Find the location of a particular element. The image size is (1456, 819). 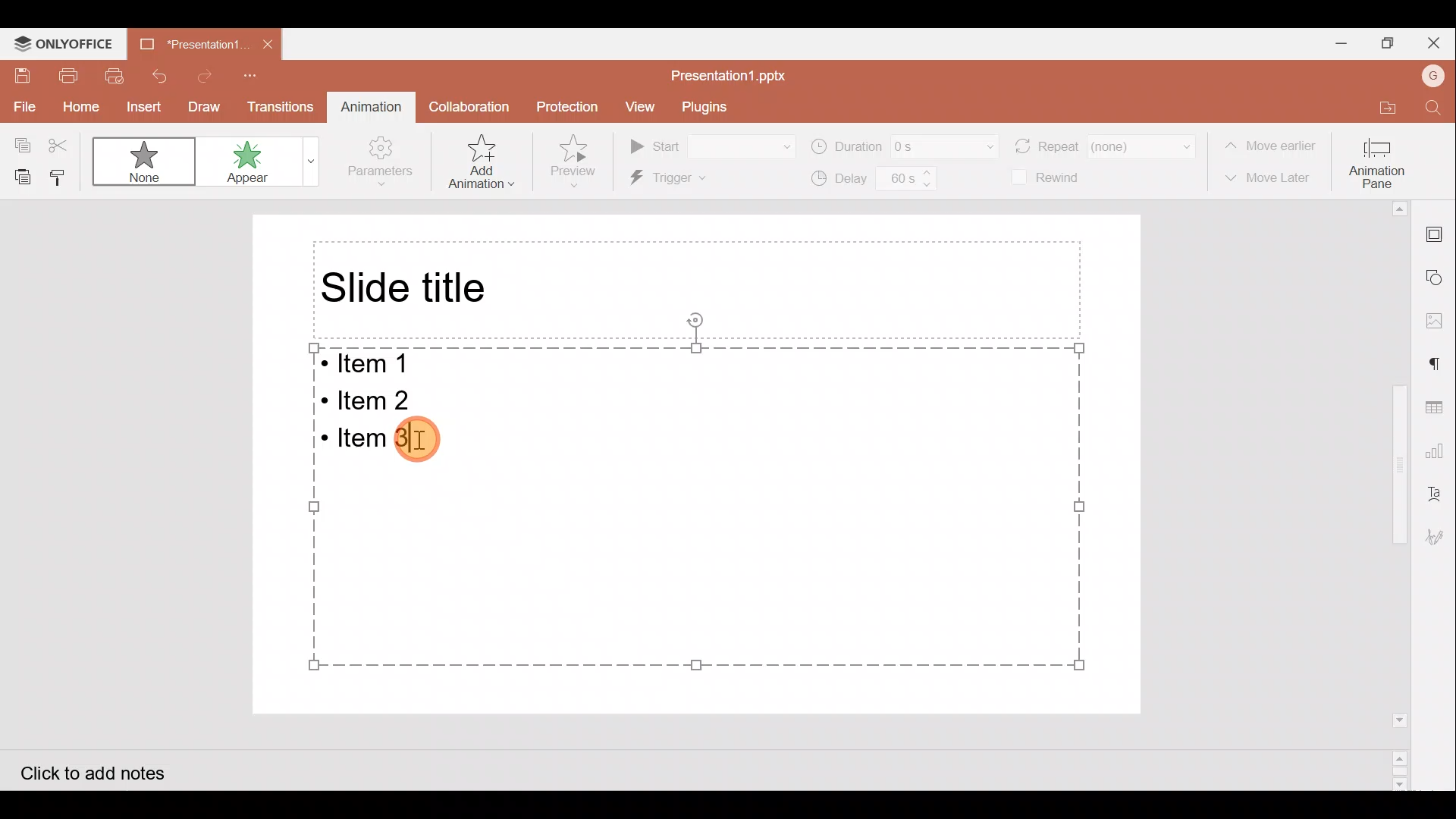

Delay is located at coordinates (874, 181).